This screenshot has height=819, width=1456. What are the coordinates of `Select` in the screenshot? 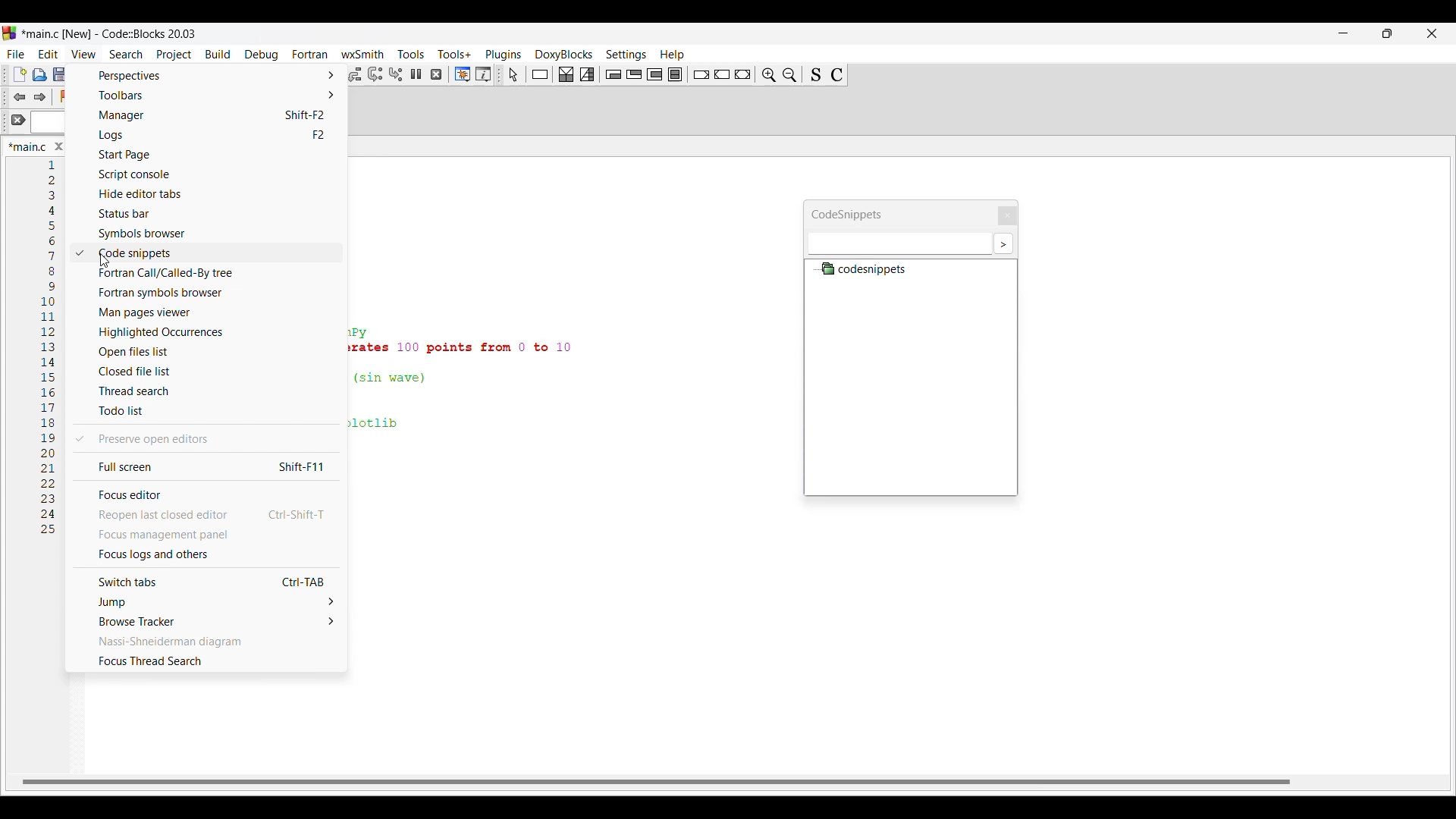 It's located at (513, 74).